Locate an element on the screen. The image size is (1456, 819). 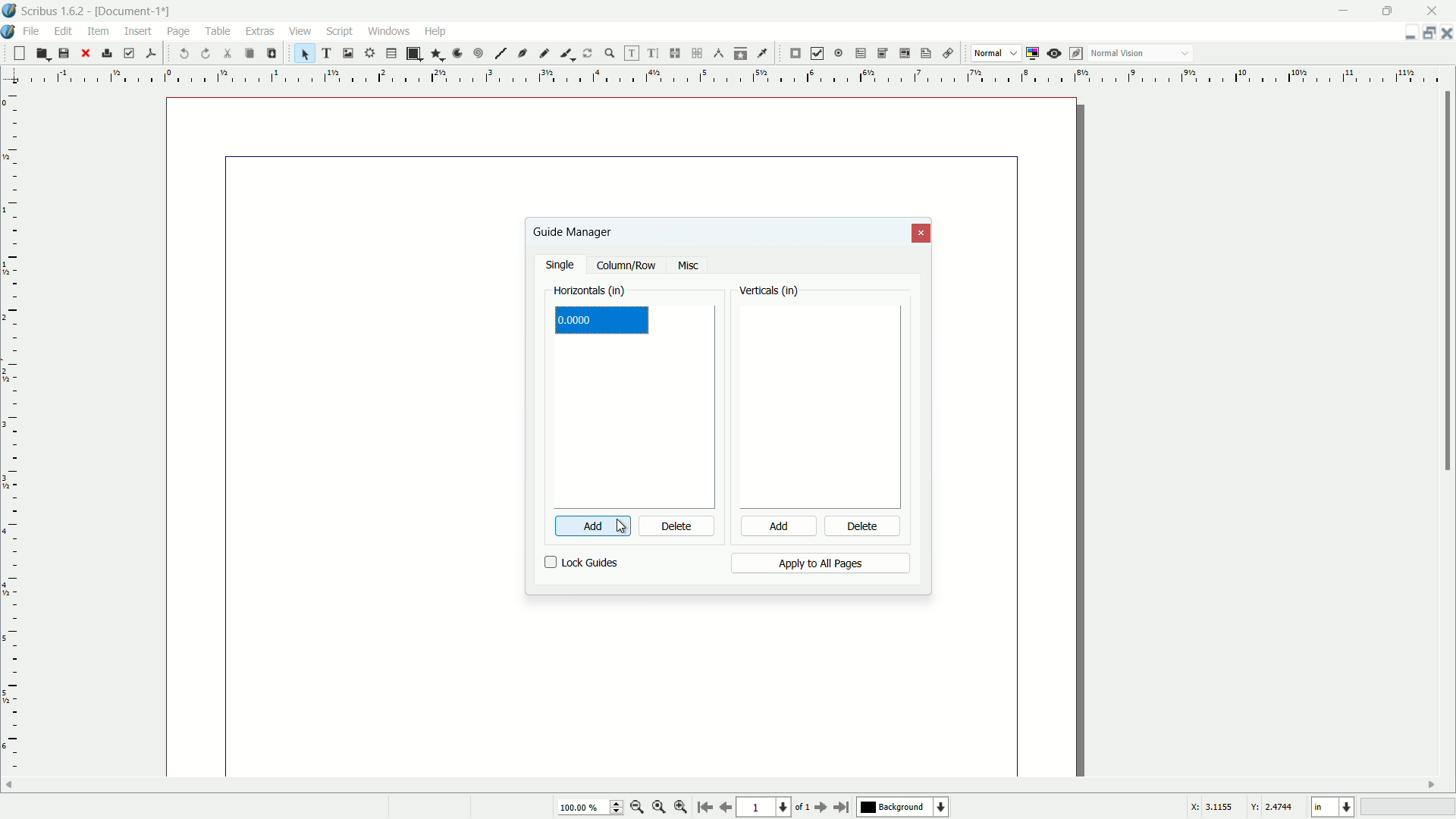
extras menu is located at coordinates (261, 31).